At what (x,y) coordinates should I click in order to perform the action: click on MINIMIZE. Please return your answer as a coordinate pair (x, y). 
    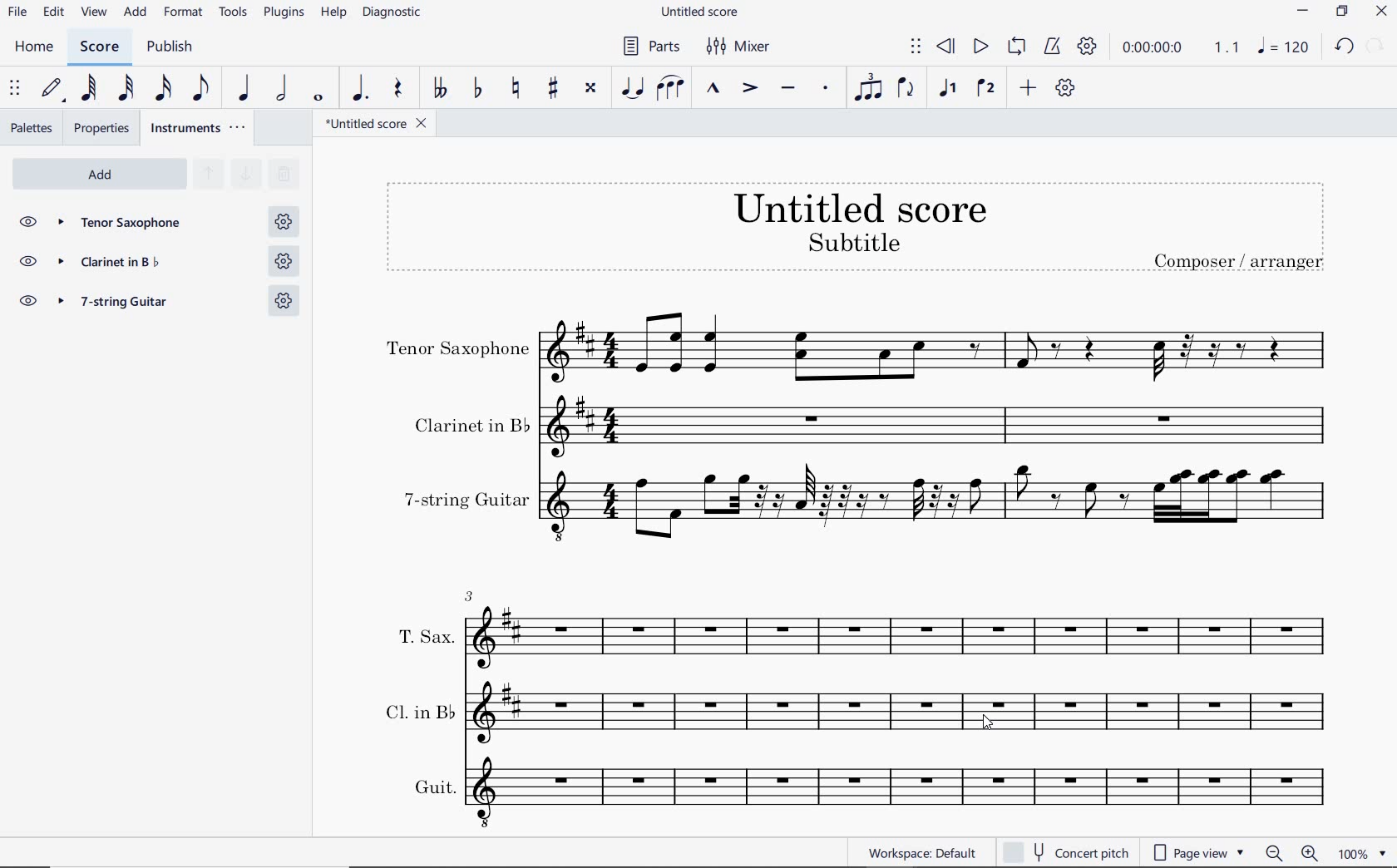
    Looking at the image, I should click on (1304, 12).